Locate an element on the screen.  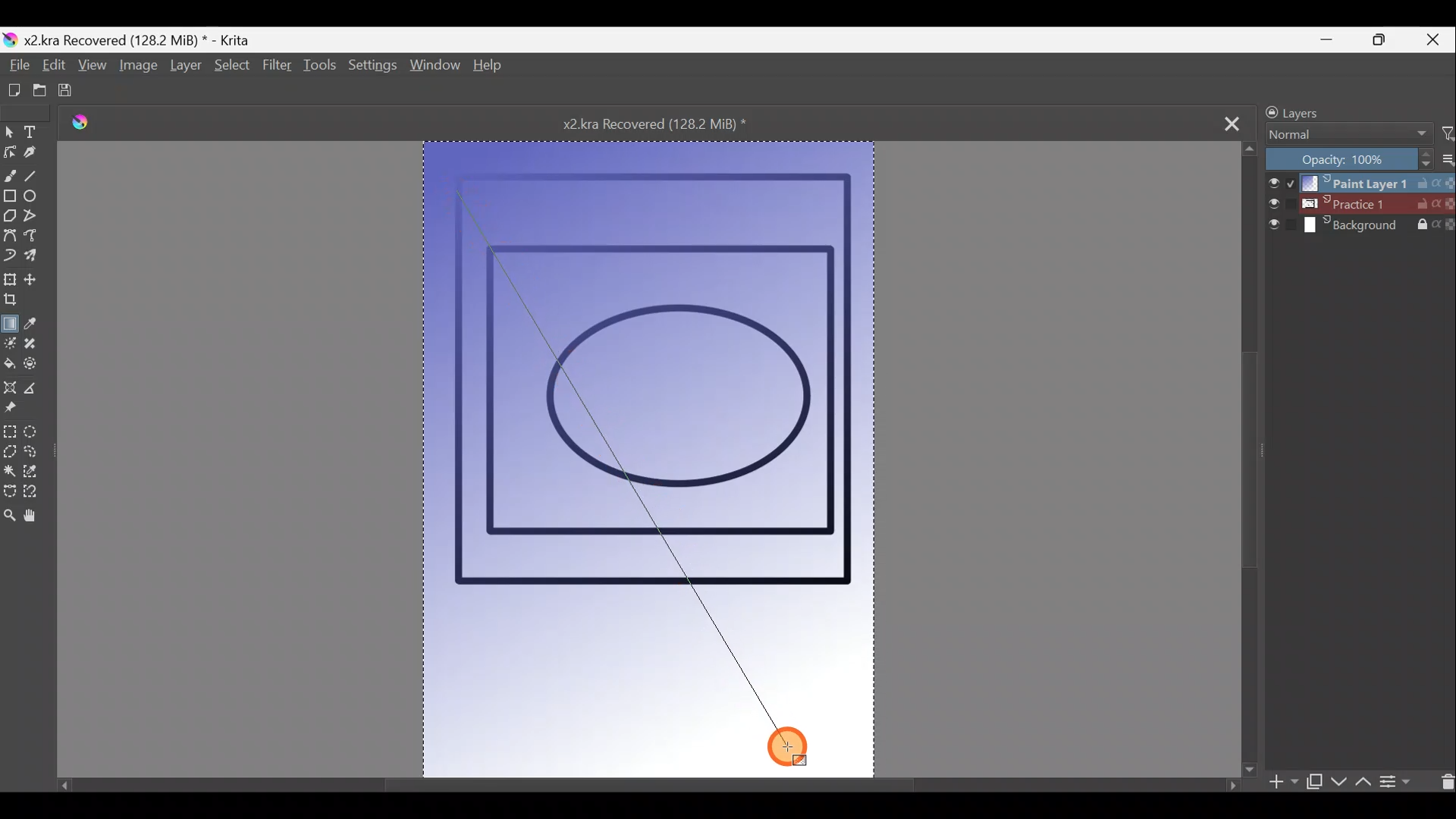
Sample a colour from the image/current layer is located at coordinates (34, 324).